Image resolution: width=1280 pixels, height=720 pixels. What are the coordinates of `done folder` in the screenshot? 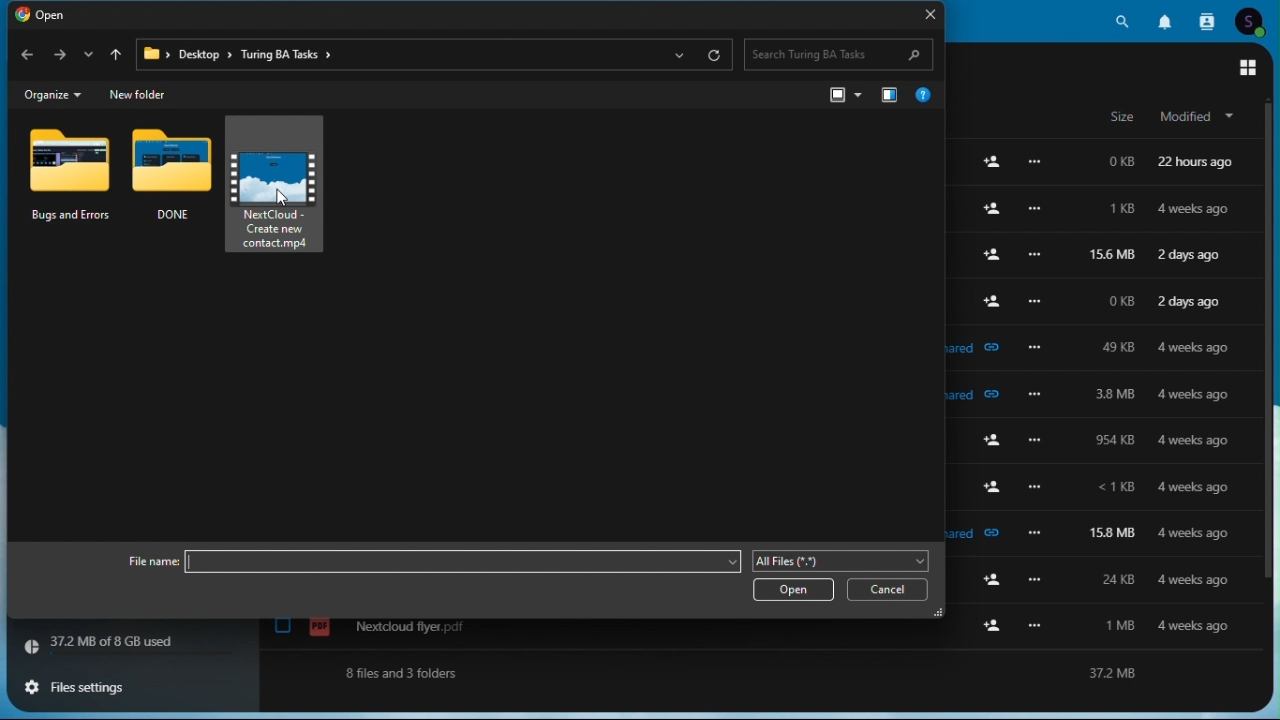 It's located at (172, 173).